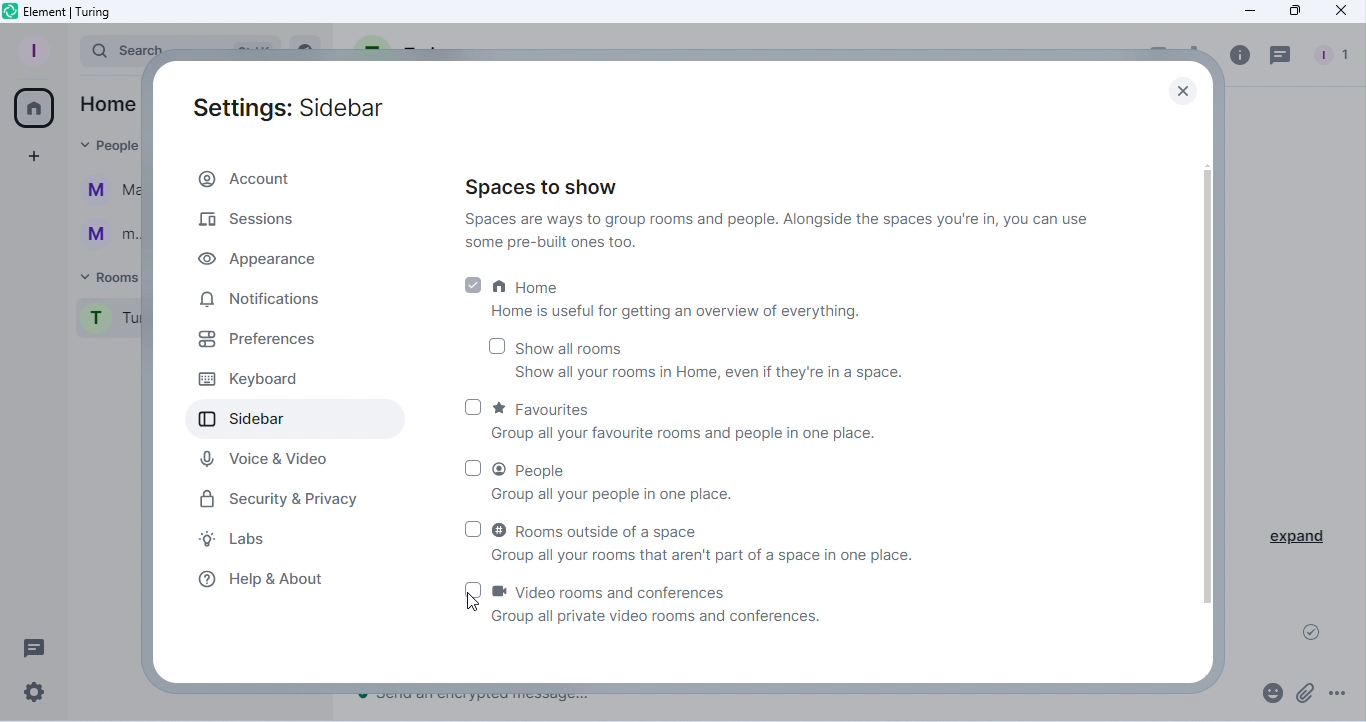 The image size is (1366, 722). Describe the element at coordinates (1334, 693) in the screenshot. I see `More options` at that location.